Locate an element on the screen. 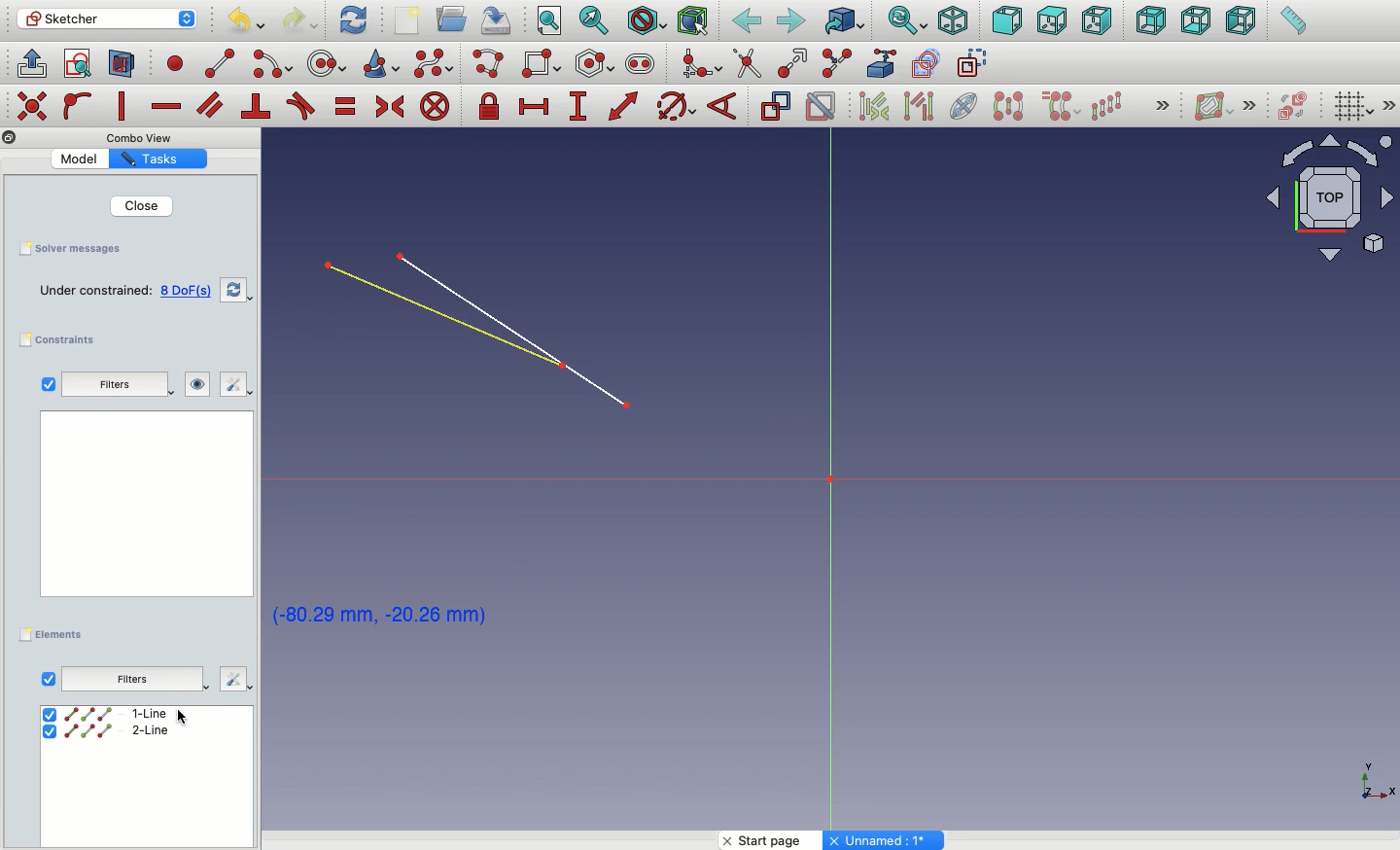 This screenshot has height=850, width=1400.  is located at coordinates (145, 138).